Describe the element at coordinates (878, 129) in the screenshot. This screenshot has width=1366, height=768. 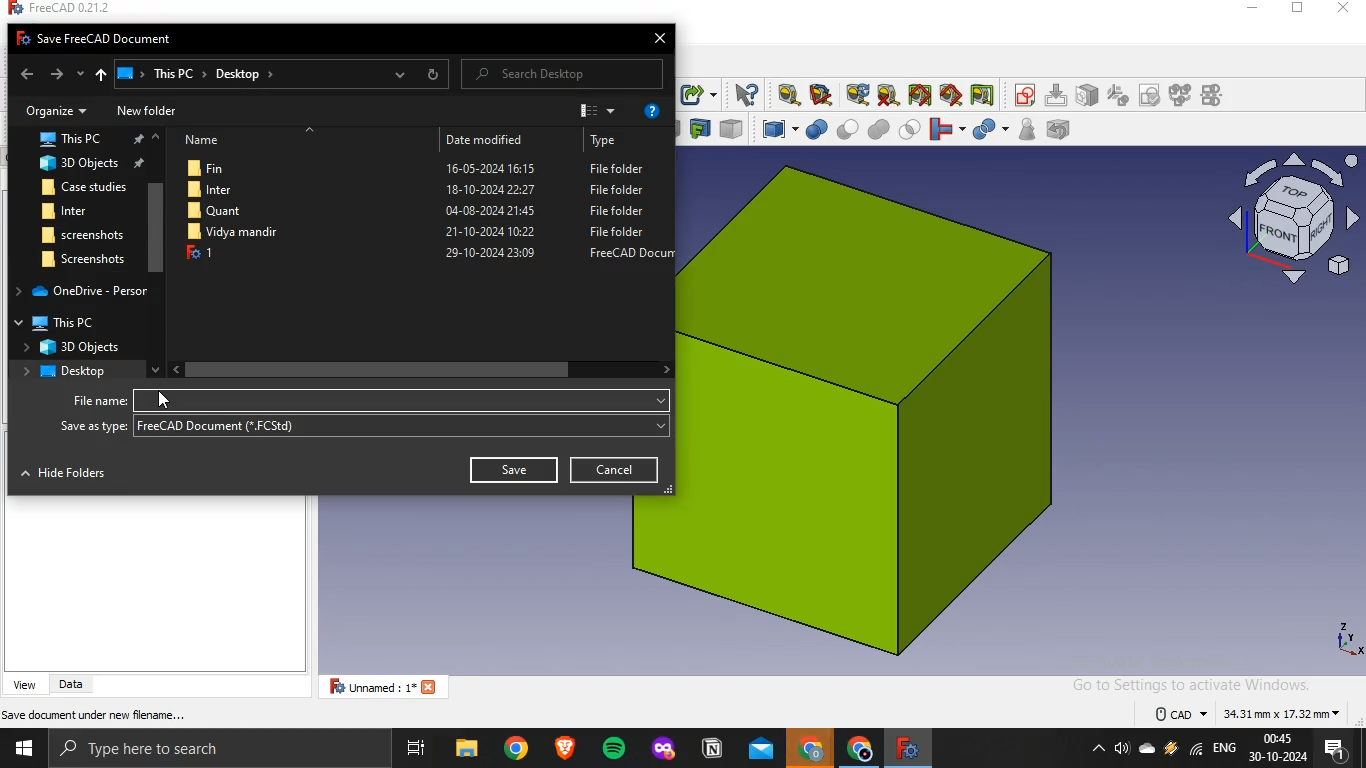
I see `union` at that location.